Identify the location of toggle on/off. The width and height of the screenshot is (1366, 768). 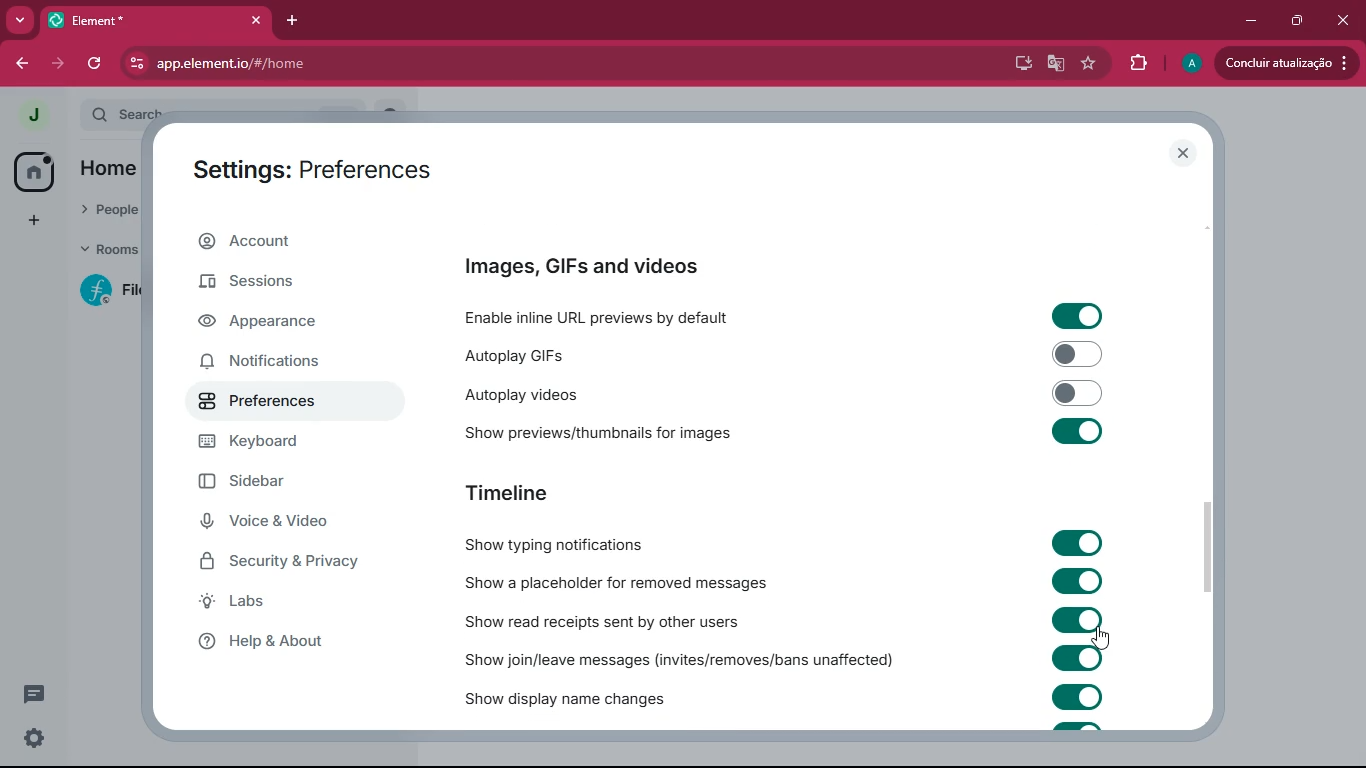
(1078, 316).